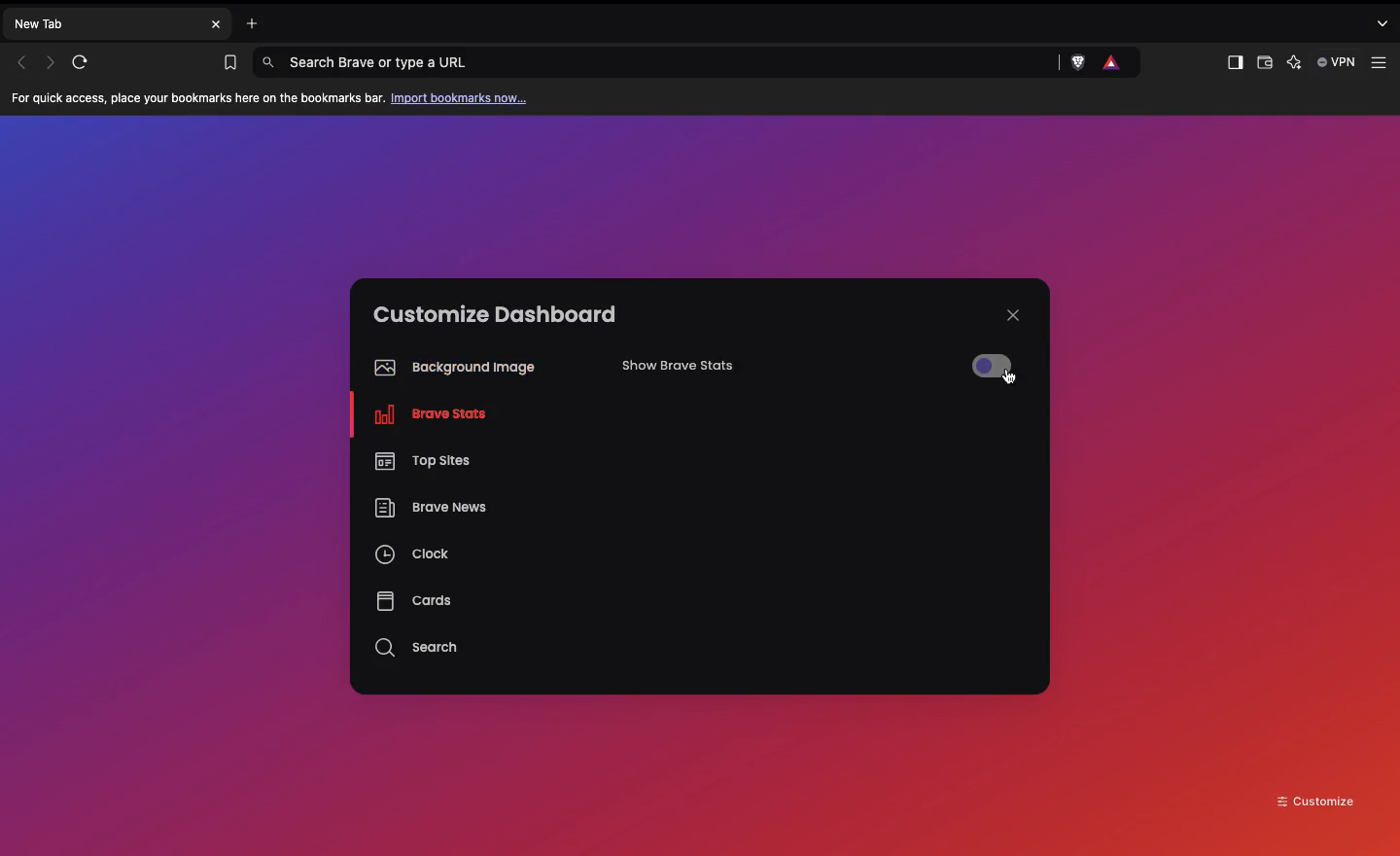  What do you see at coordinates (414, 557) in the screenshot?
I see `Clock` at bounding box center [414, 557].